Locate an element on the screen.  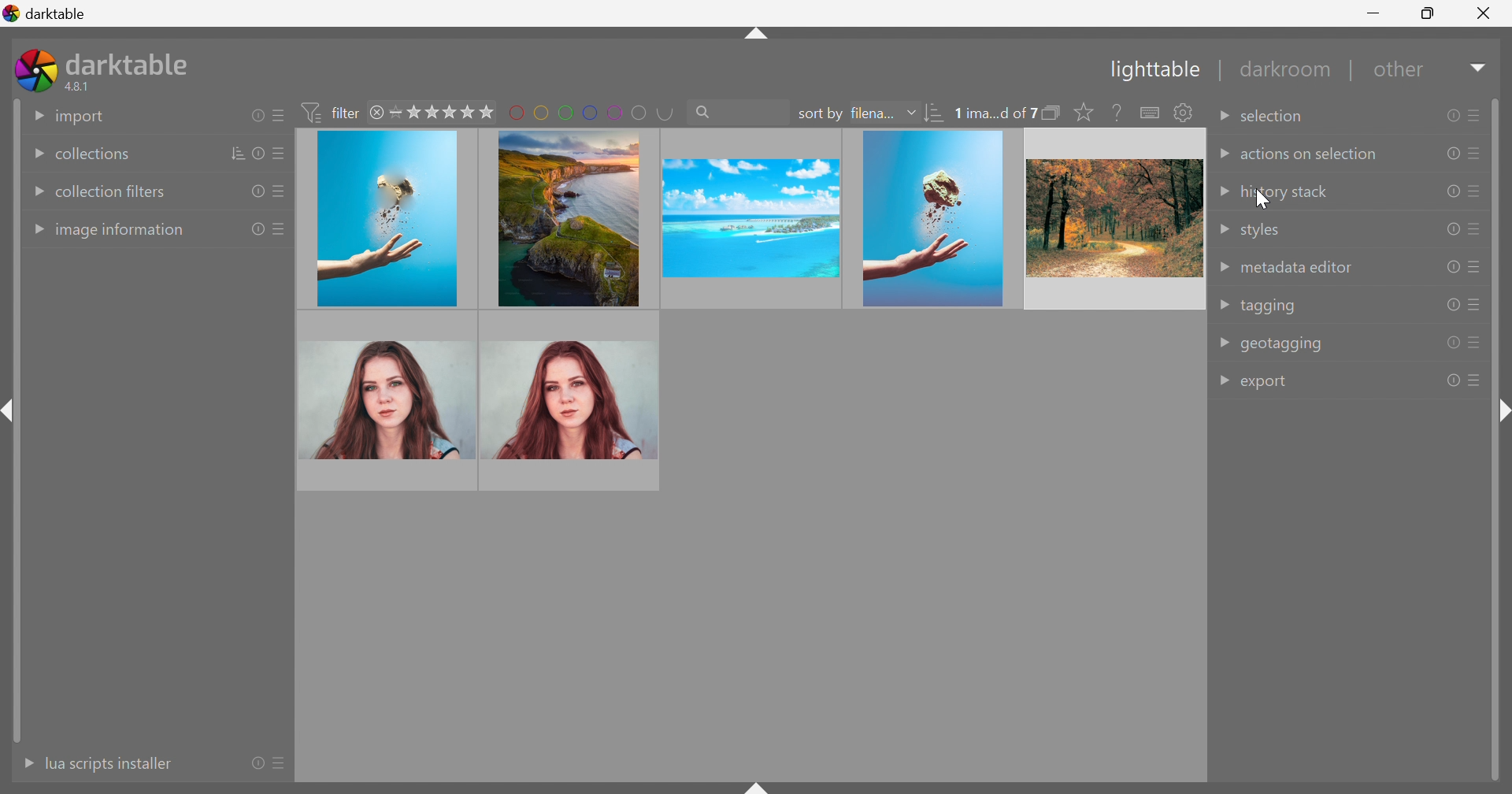
reset is located at coordinates (1451, 116).